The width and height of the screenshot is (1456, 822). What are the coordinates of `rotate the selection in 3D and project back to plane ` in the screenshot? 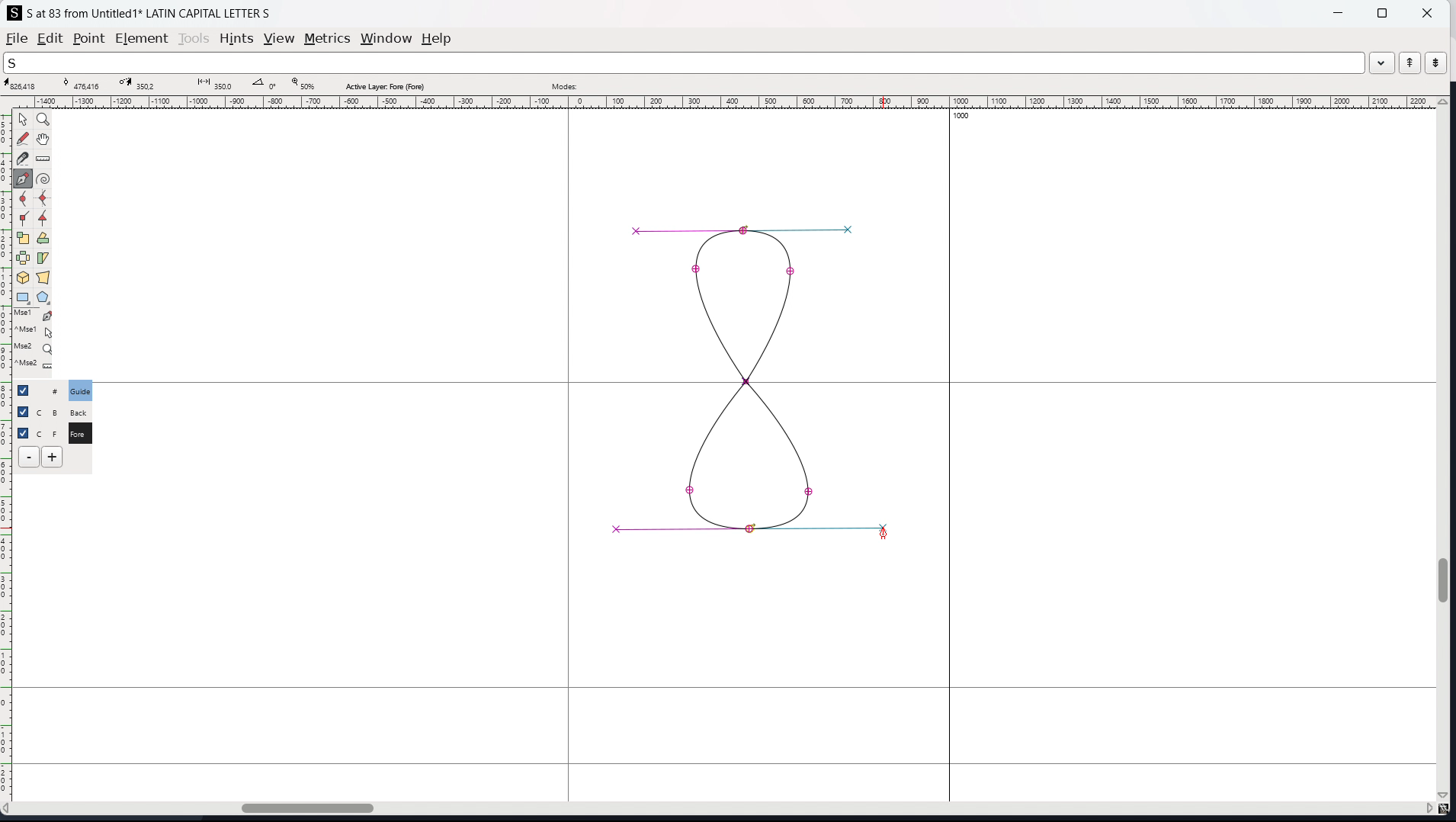 It's located at (23, 278).